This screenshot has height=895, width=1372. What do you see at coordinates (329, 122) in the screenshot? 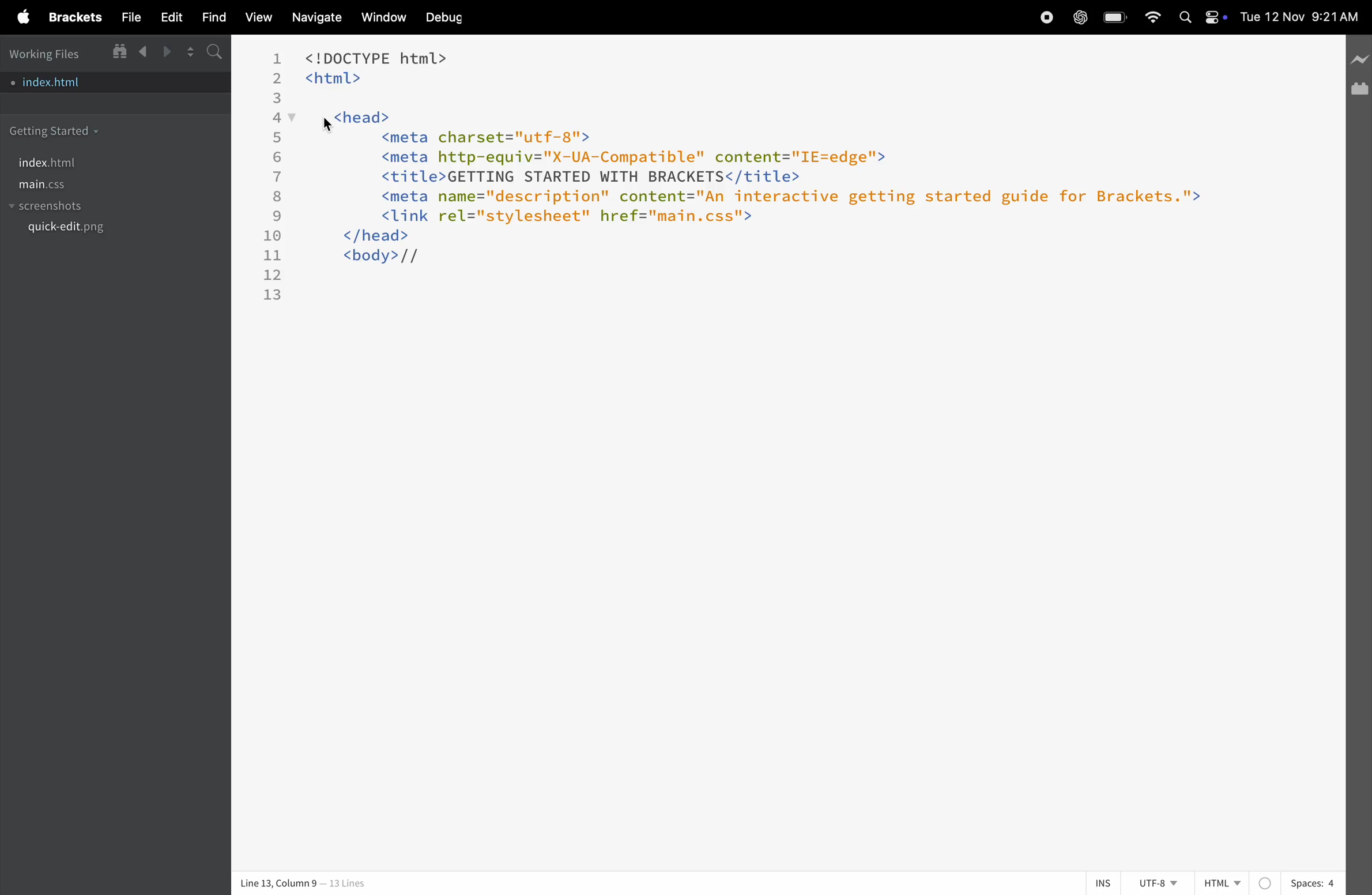
I see `cursor` at bounding box center [329, 122].